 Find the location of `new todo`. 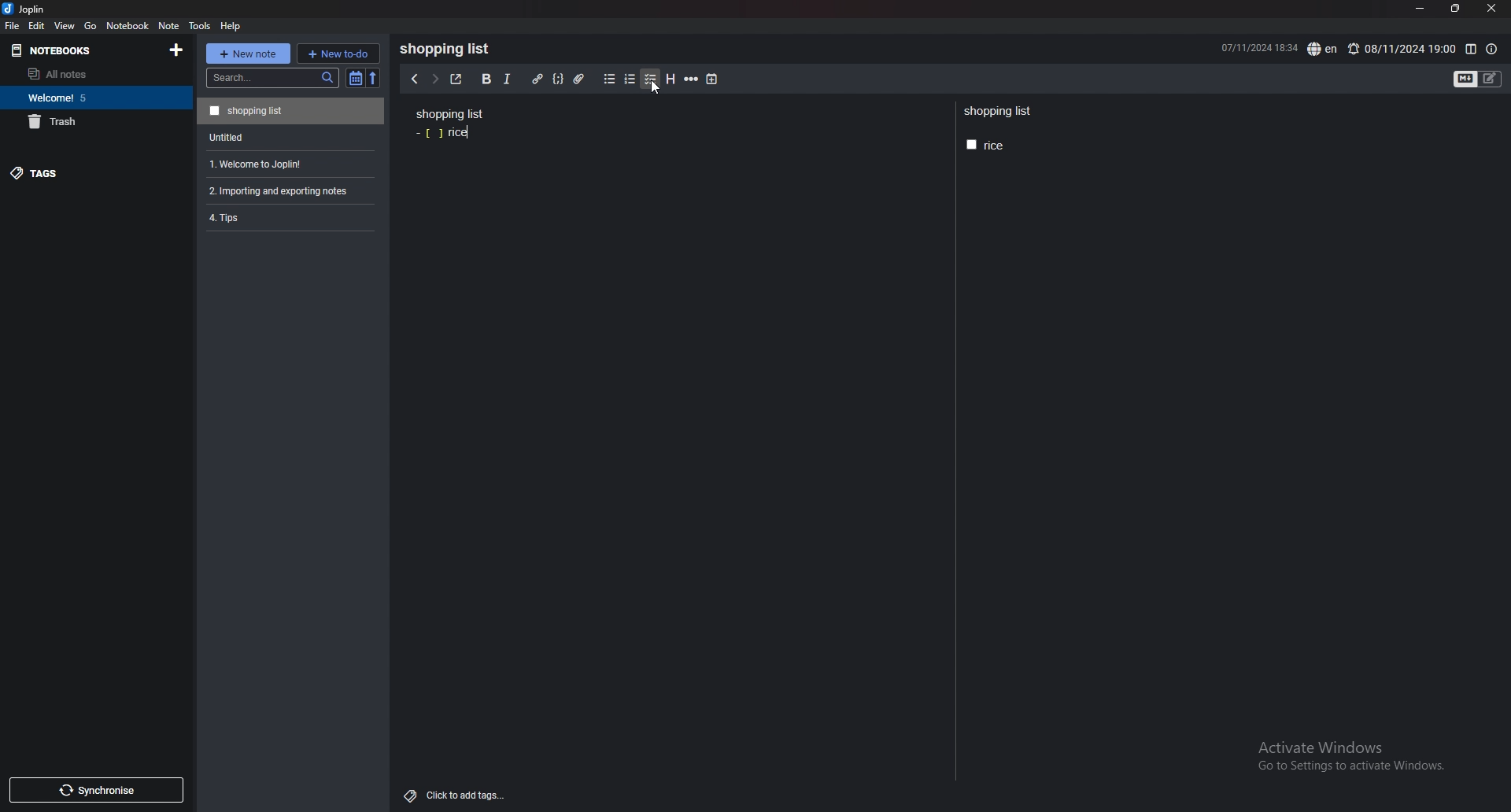

new todo is located at coordinates (338, 53).